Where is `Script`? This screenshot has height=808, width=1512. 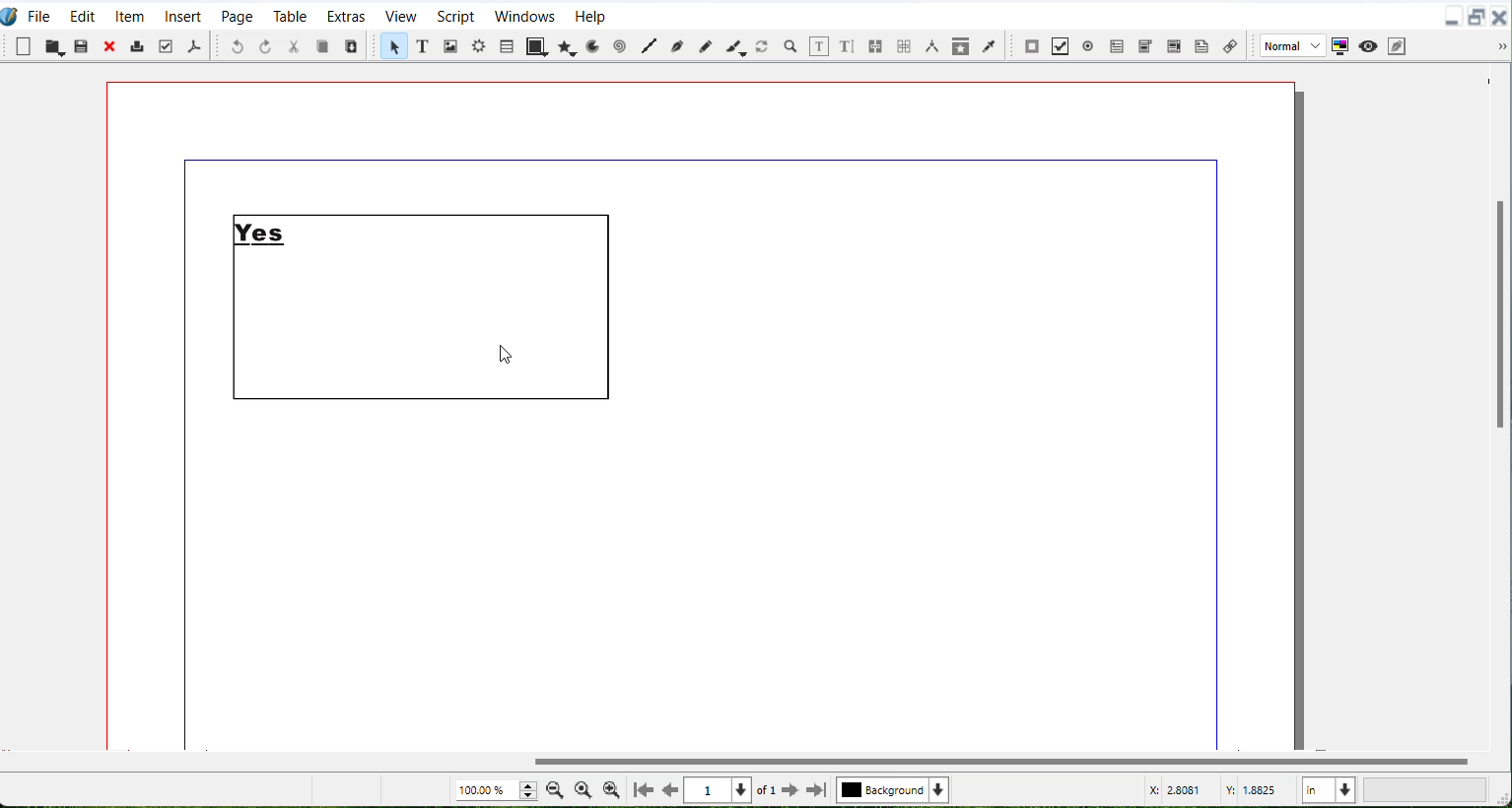
Script is located at coordinates (456, 15).